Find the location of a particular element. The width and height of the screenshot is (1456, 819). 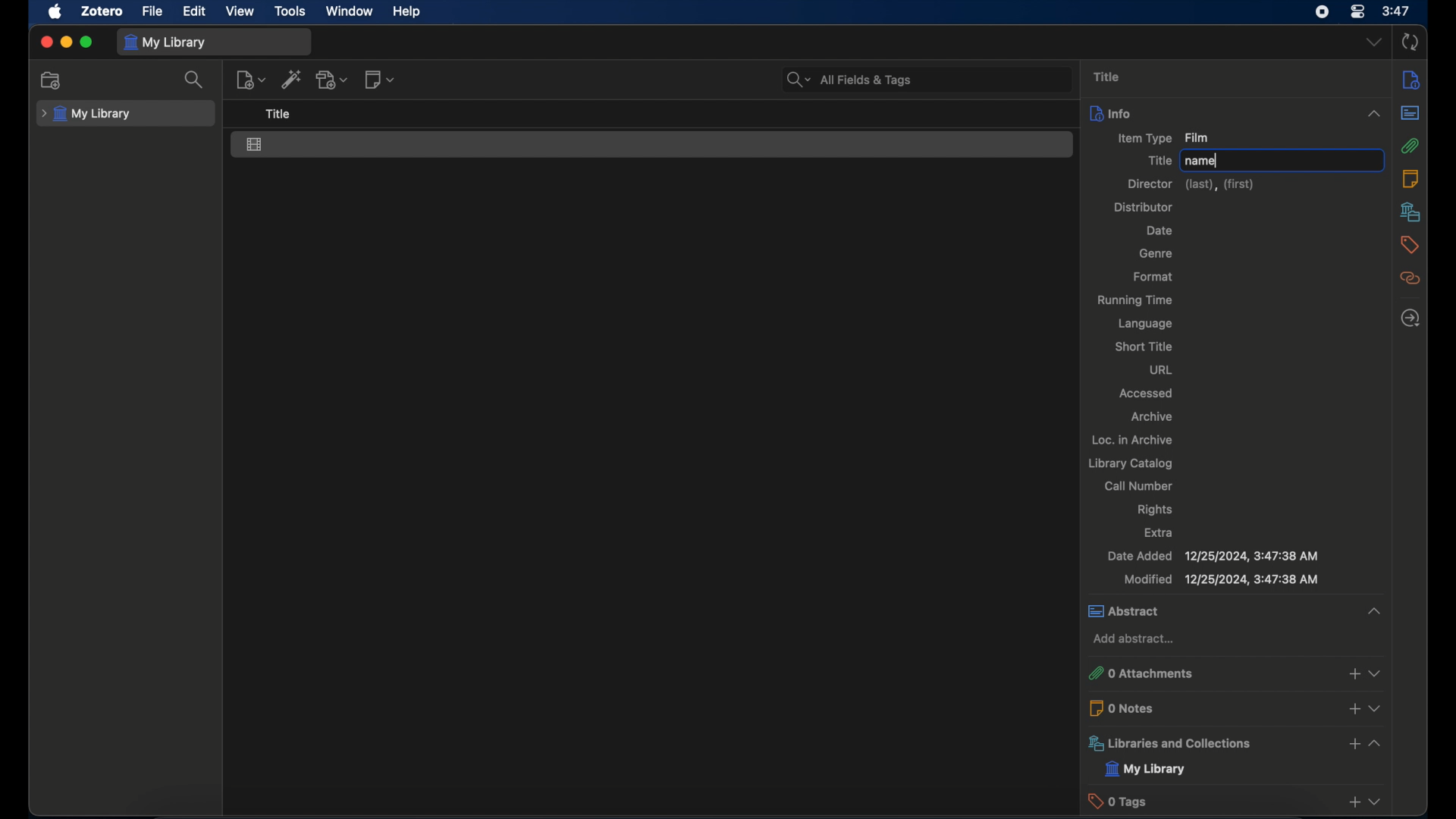

edit is located at coordinates (196, 11).